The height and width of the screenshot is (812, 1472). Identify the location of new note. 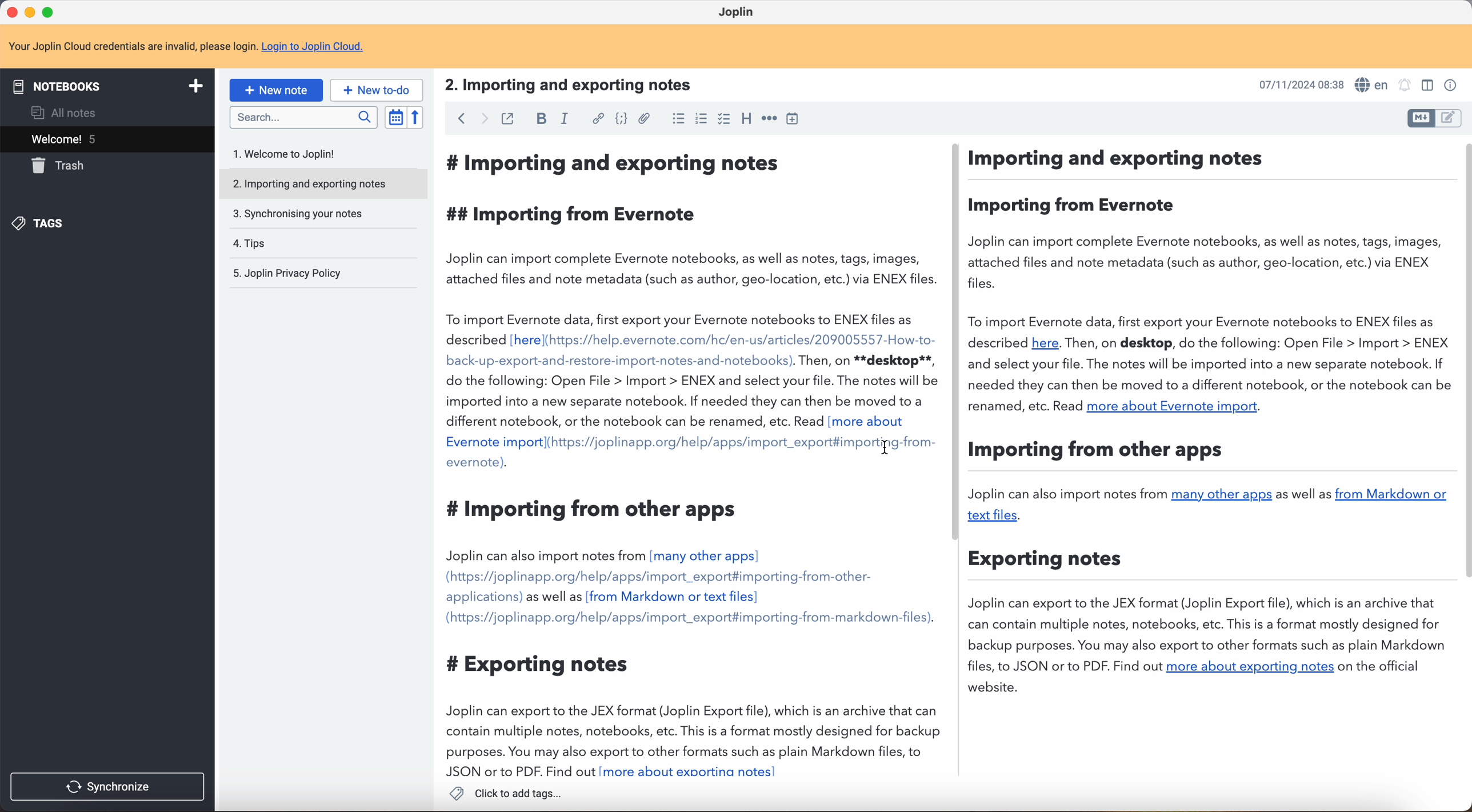
(277, 90).